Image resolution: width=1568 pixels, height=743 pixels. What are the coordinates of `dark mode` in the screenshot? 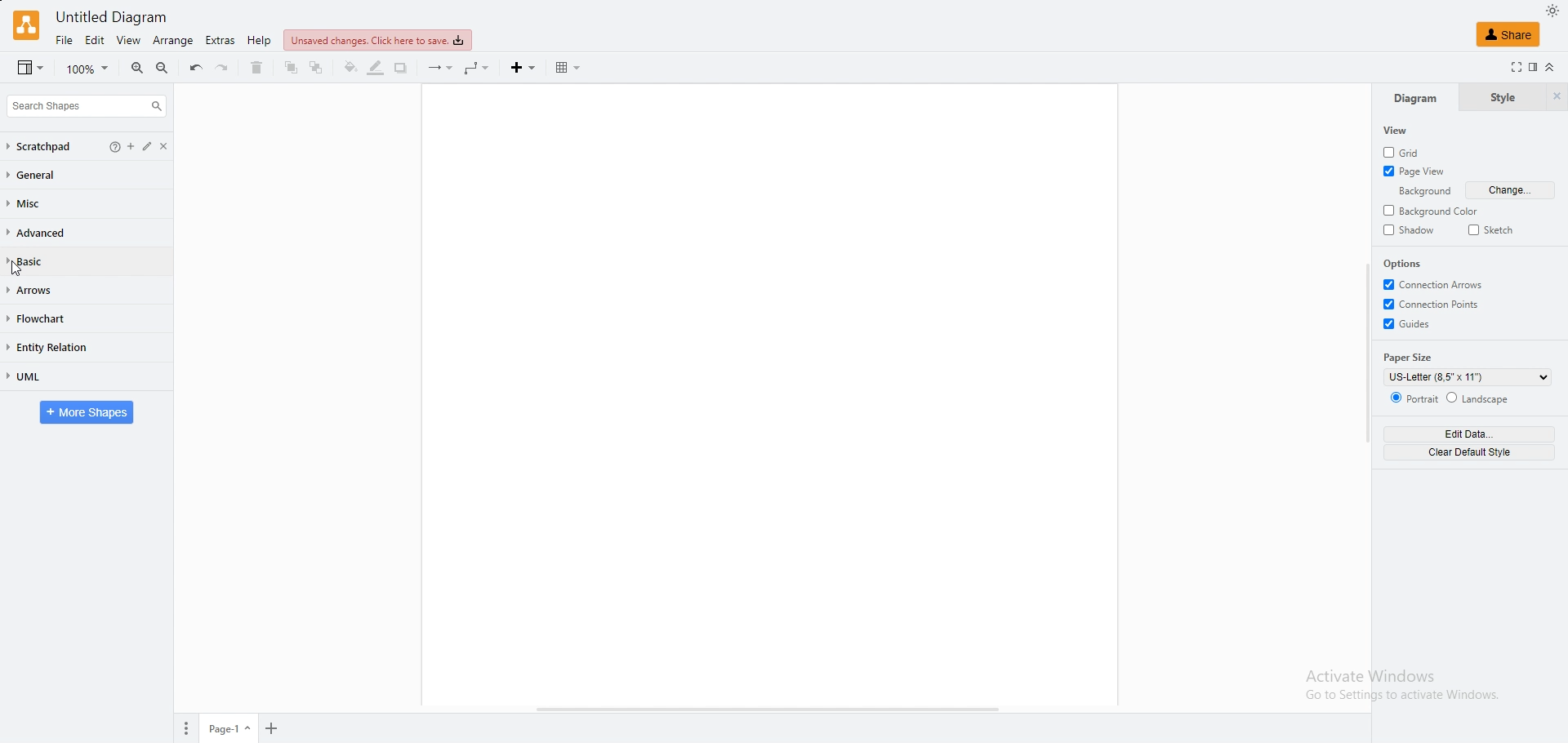 It's located at (1552, 10).